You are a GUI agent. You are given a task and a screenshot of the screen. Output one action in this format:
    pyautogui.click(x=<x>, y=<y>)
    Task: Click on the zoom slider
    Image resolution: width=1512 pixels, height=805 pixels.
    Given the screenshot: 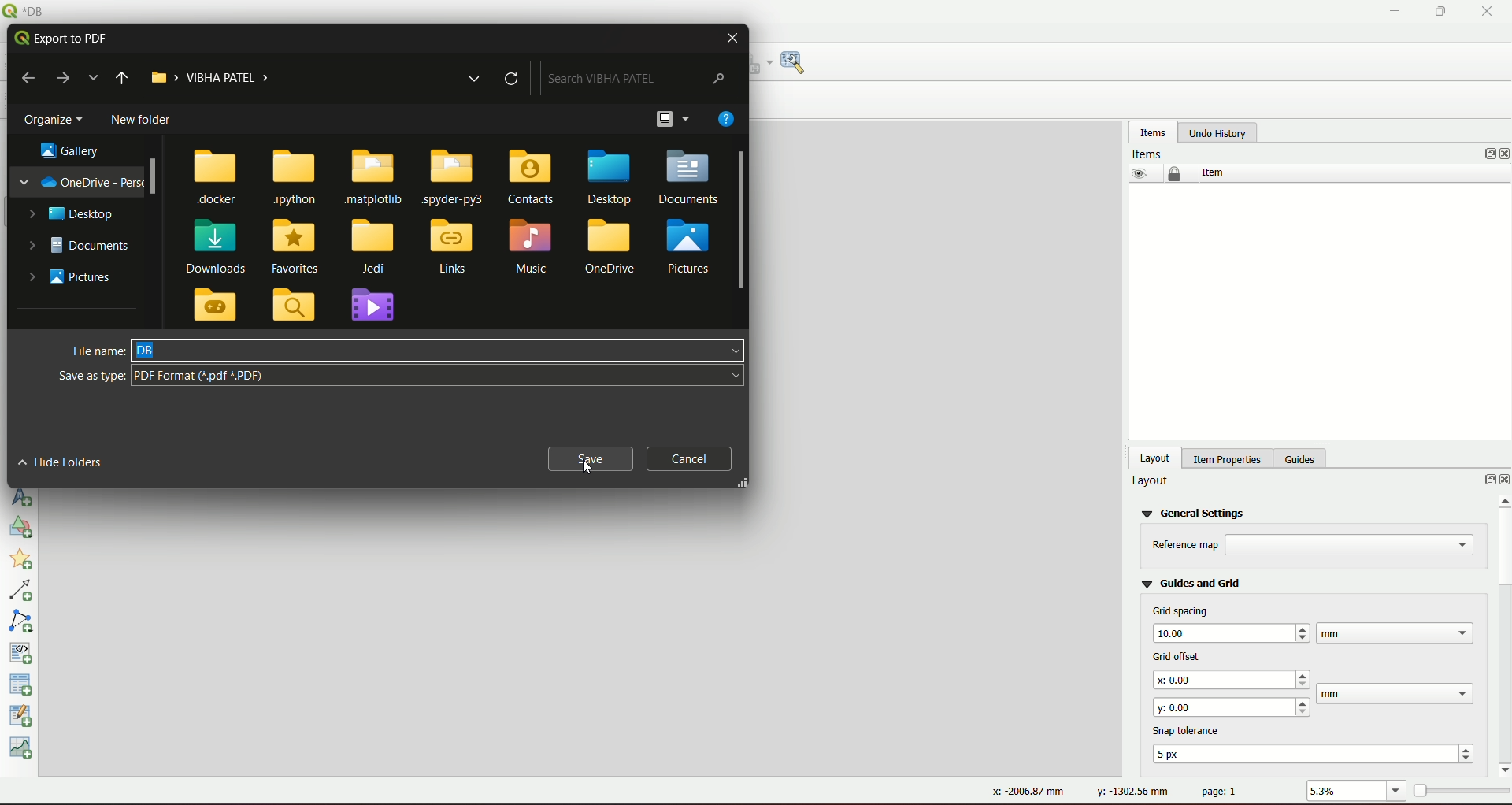 What is the action you would take?
    pyautogui.click(x=1460, y=789)
    